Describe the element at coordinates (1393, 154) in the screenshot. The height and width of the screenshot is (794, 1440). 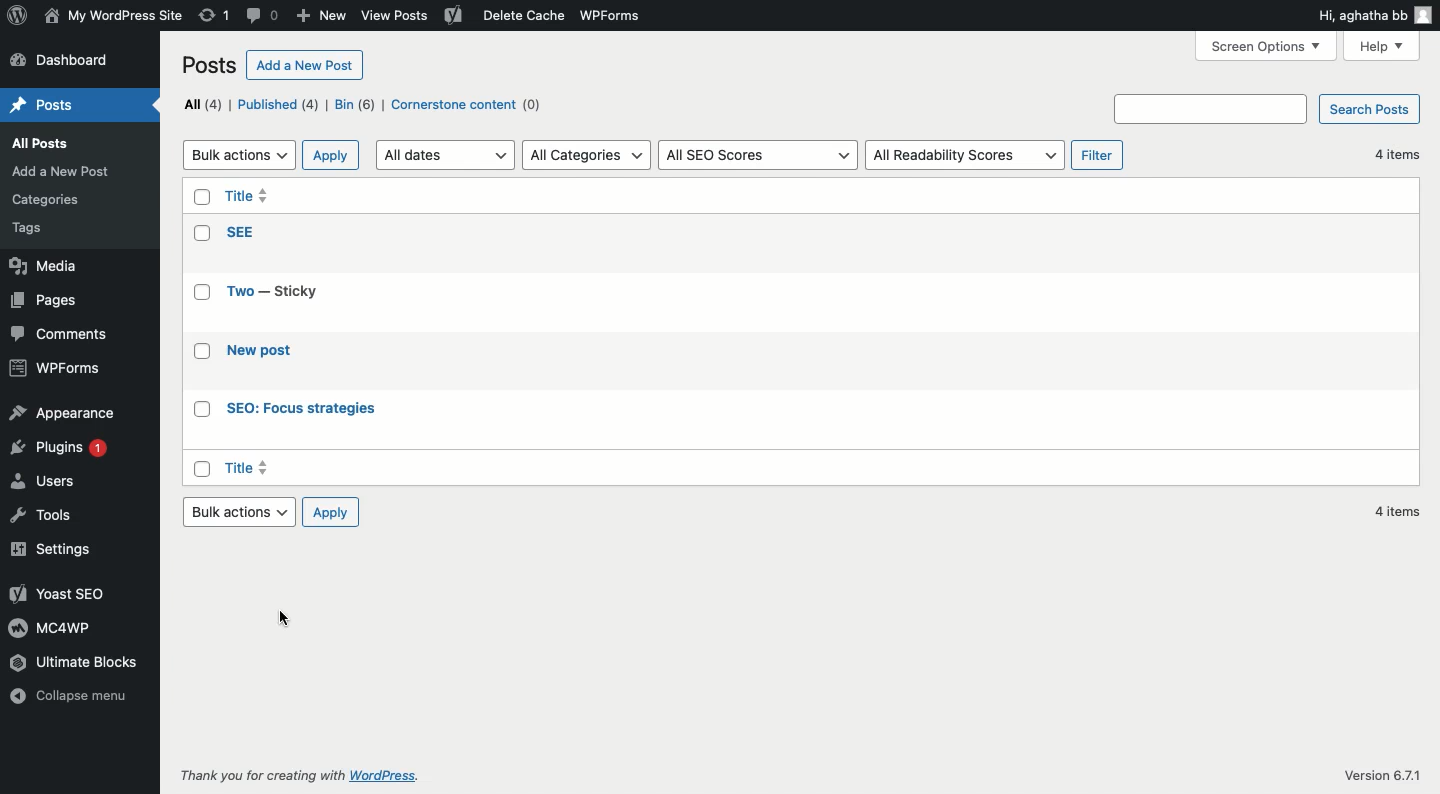
I see `4 items` at that location.